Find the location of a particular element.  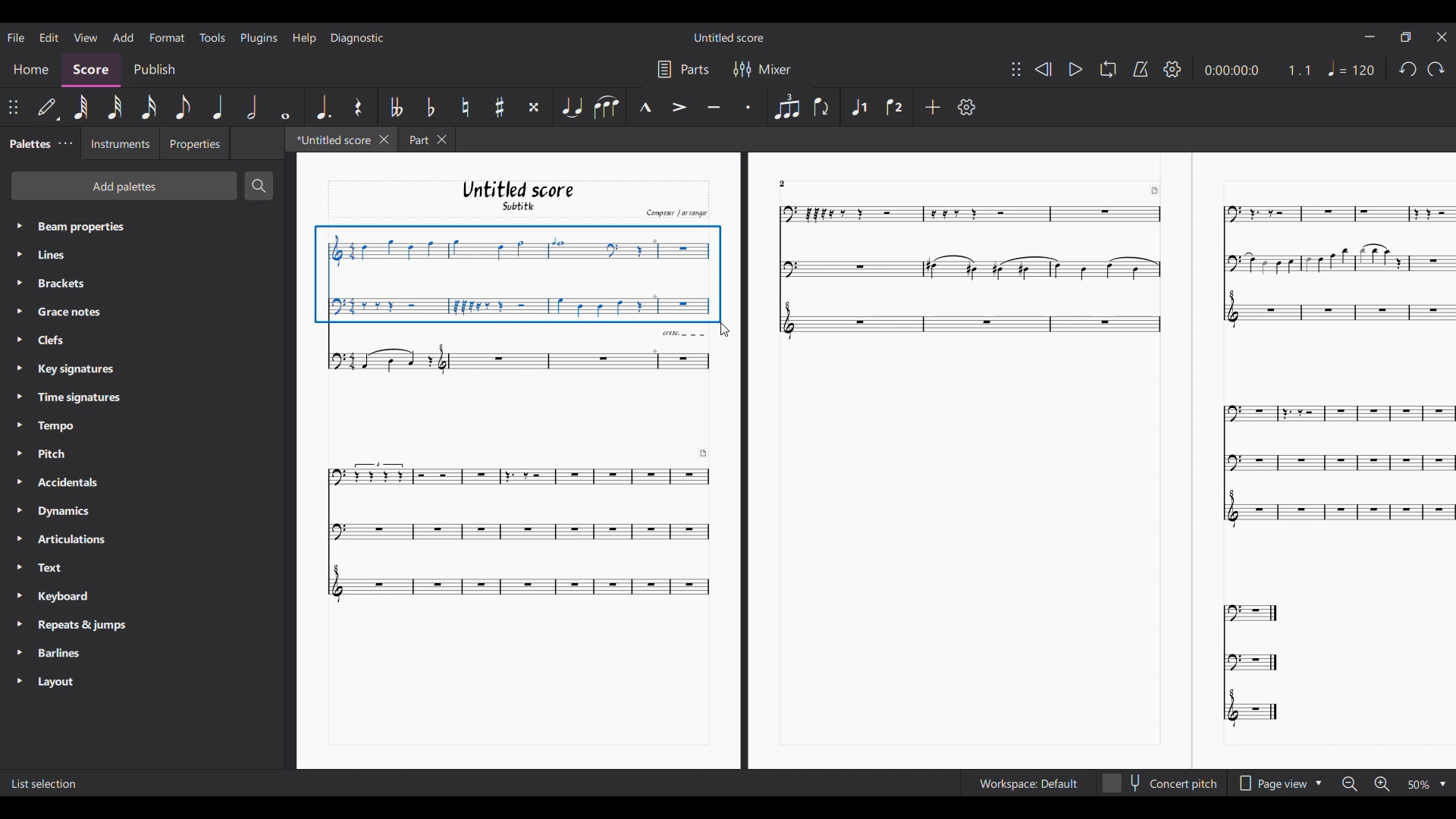

Tempo is located at coordinates (1354, 68).